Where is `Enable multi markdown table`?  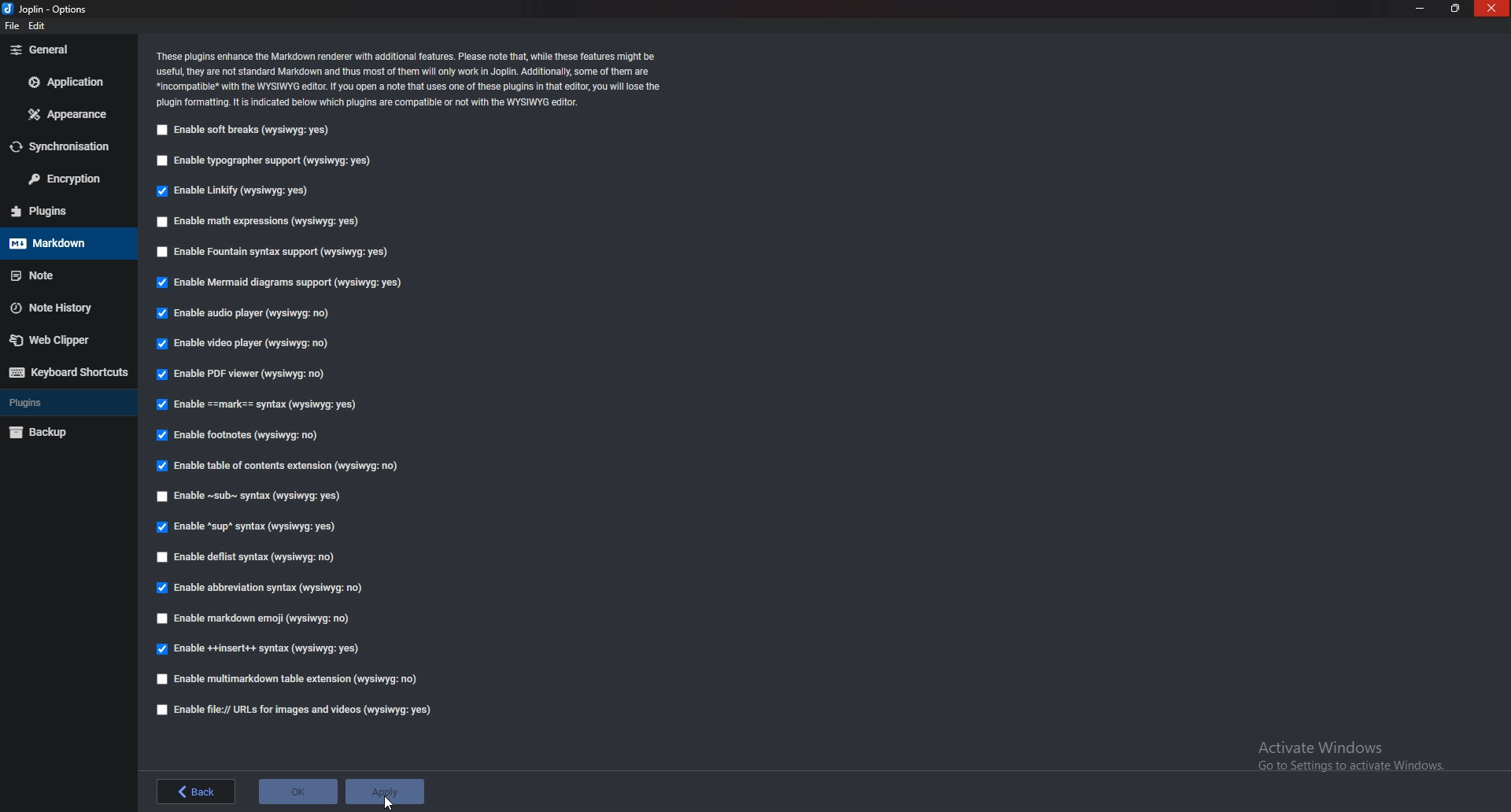 Enable multi markdown table is located at coordinates (286, 679).